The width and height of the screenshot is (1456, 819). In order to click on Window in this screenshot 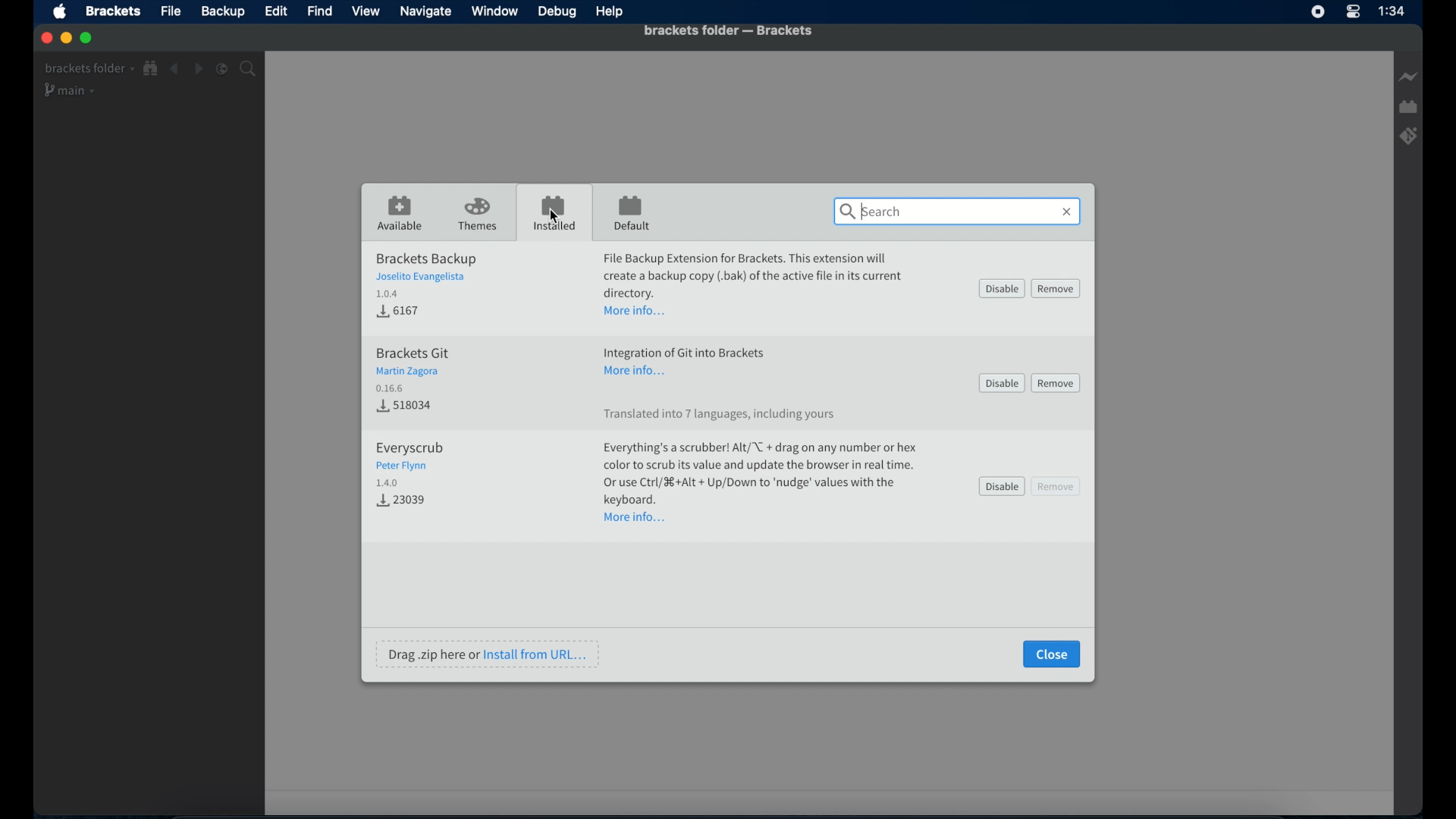, I will do `click(495, 11)`.